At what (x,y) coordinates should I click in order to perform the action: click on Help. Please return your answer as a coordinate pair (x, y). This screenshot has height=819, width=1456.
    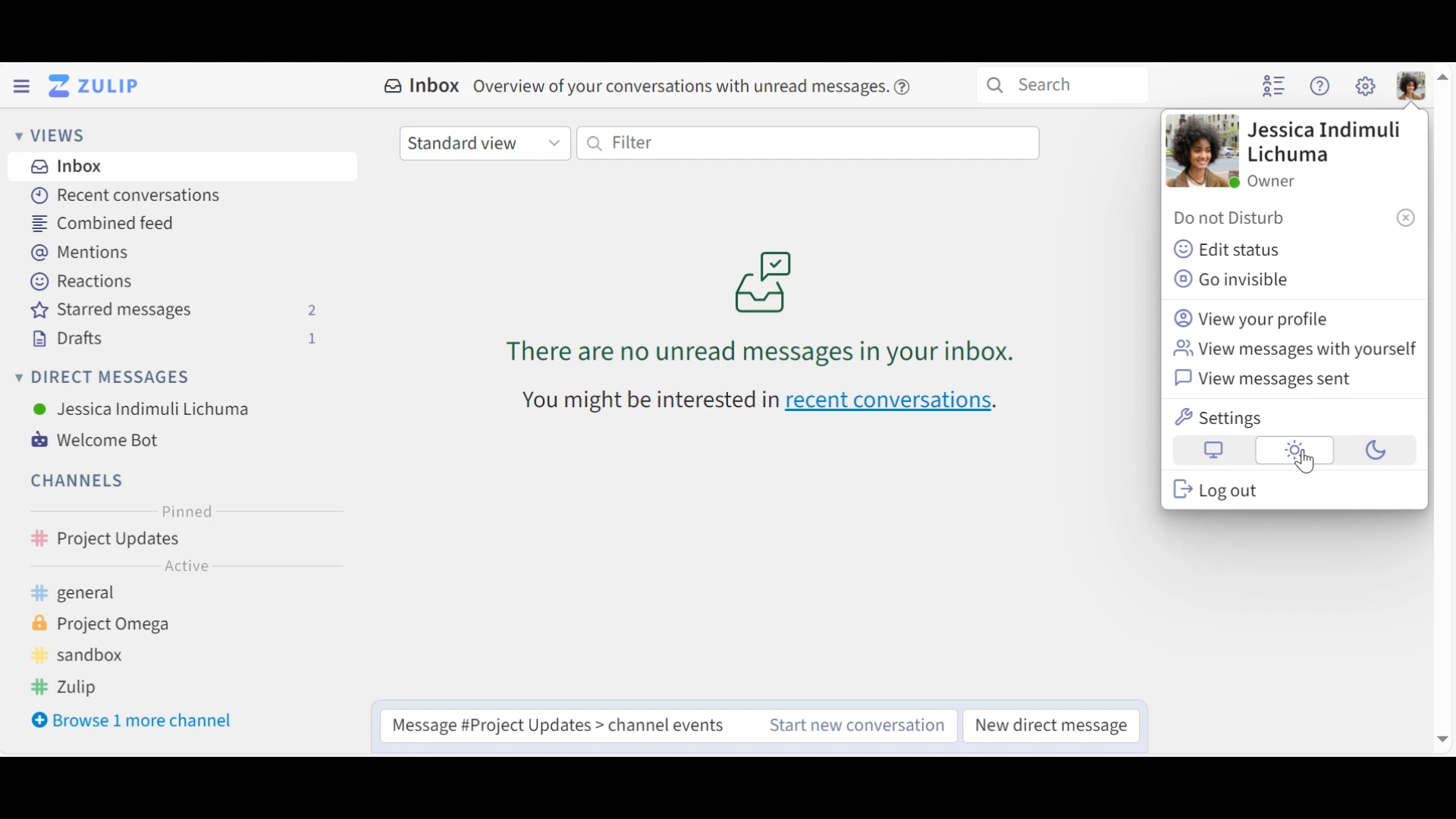
    Looking at the image, I should click on (905, 84).